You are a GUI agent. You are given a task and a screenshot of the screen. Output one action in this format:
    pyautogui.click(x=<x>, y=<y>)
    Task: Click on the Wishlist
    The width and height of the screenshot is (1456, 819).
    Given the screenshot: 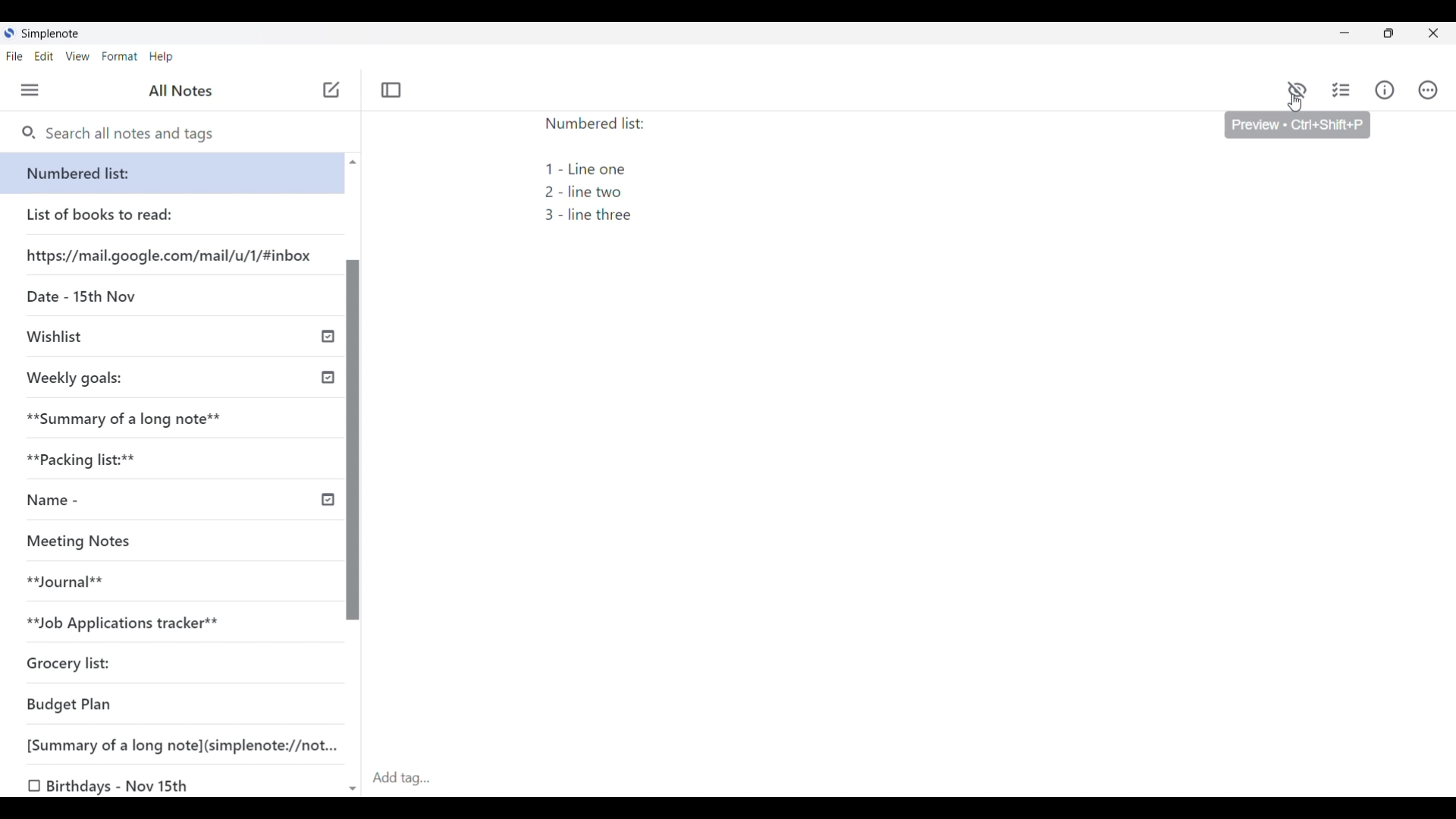 What is the action you would take?
    pyautogui.click(x=64, y=340)
    